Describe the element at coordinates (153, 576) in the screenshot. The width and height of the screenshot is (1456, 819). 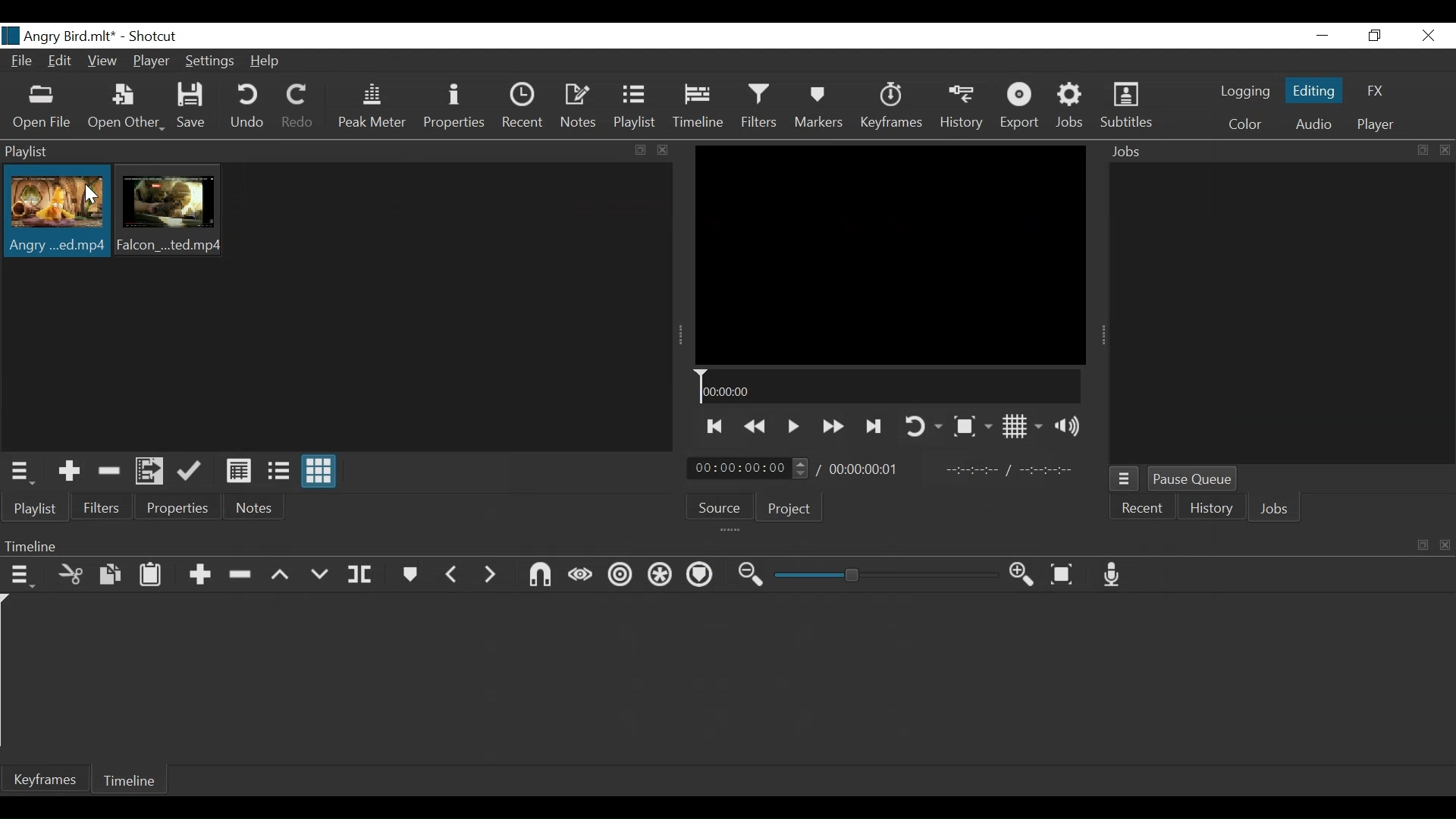
I see `Paste` at that location.